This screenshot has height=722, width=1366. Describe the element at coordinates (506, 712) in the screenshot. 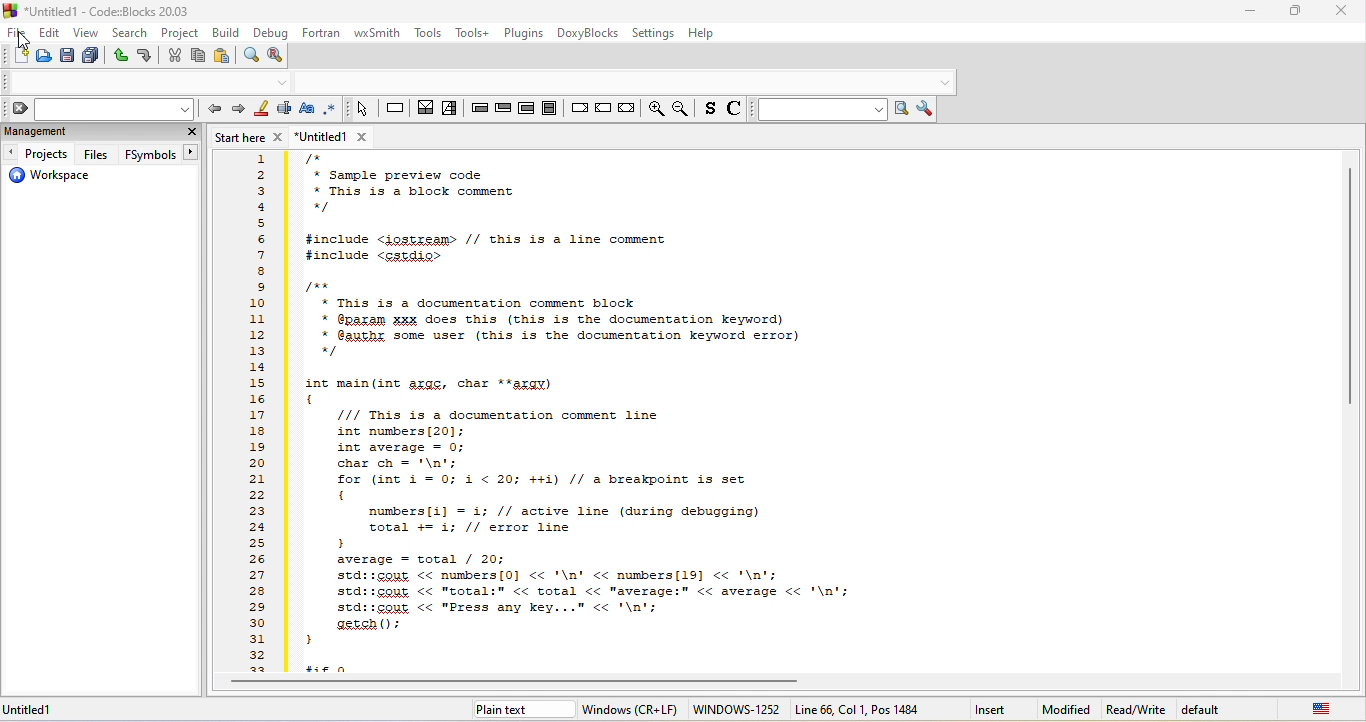

I see `plain text` at that location.